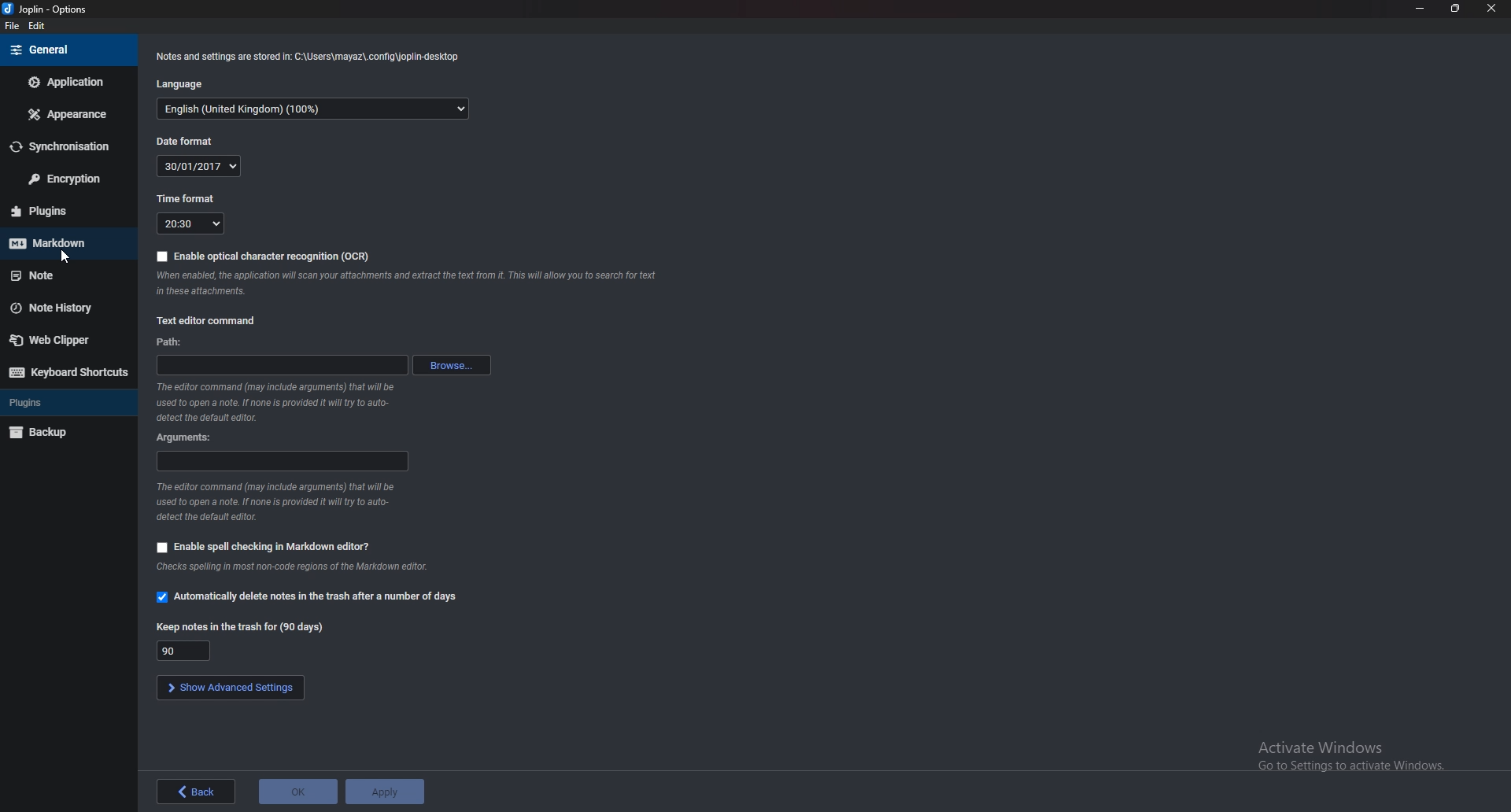 Image resolution: width=1511 pixels, height=812 pixels. I want to click on web clipper, so click(66, 339).